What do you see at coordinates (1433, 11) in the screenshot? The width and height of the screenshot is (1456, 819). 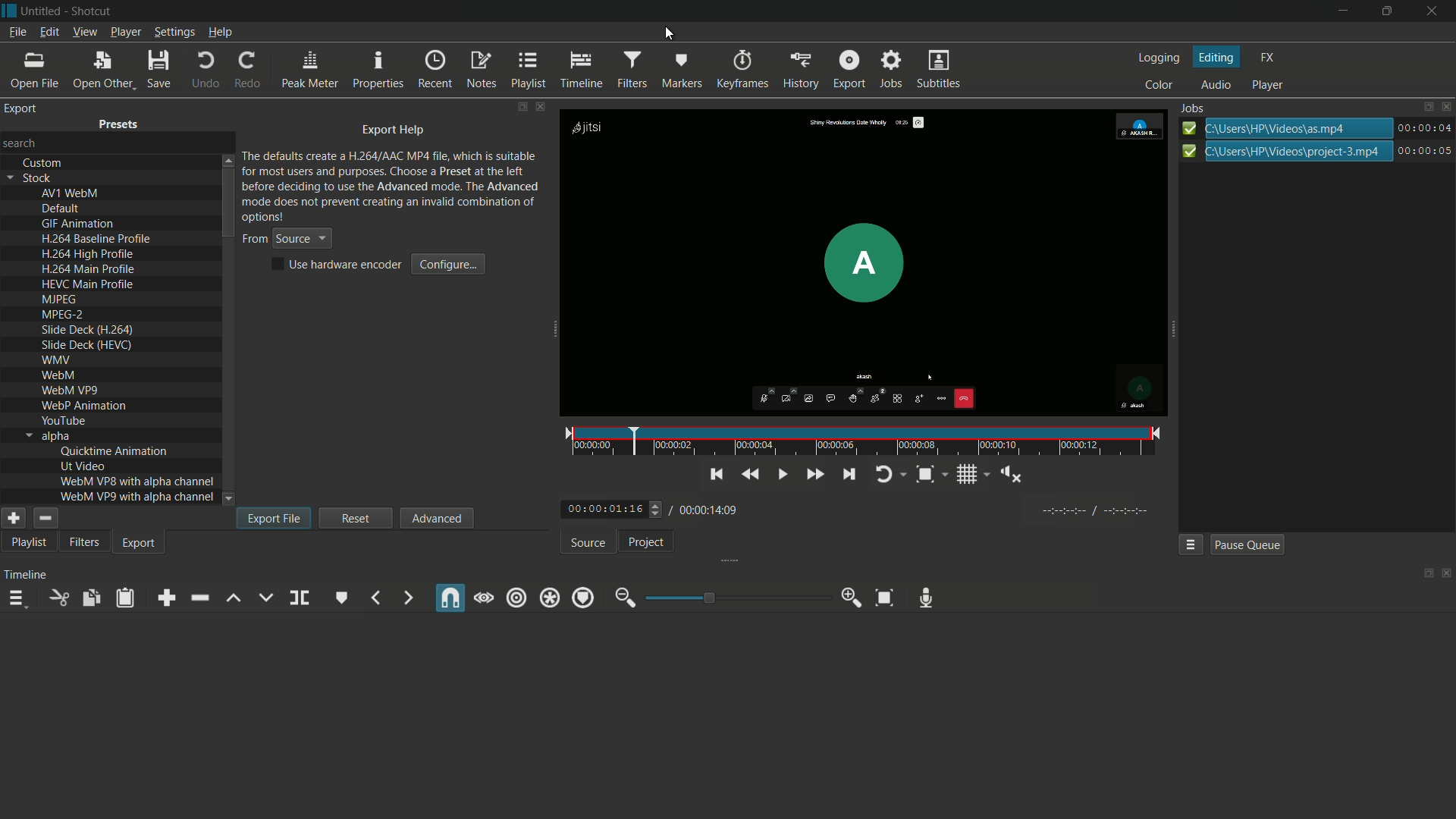 I see `close app` at bounding box center [1433, 11].